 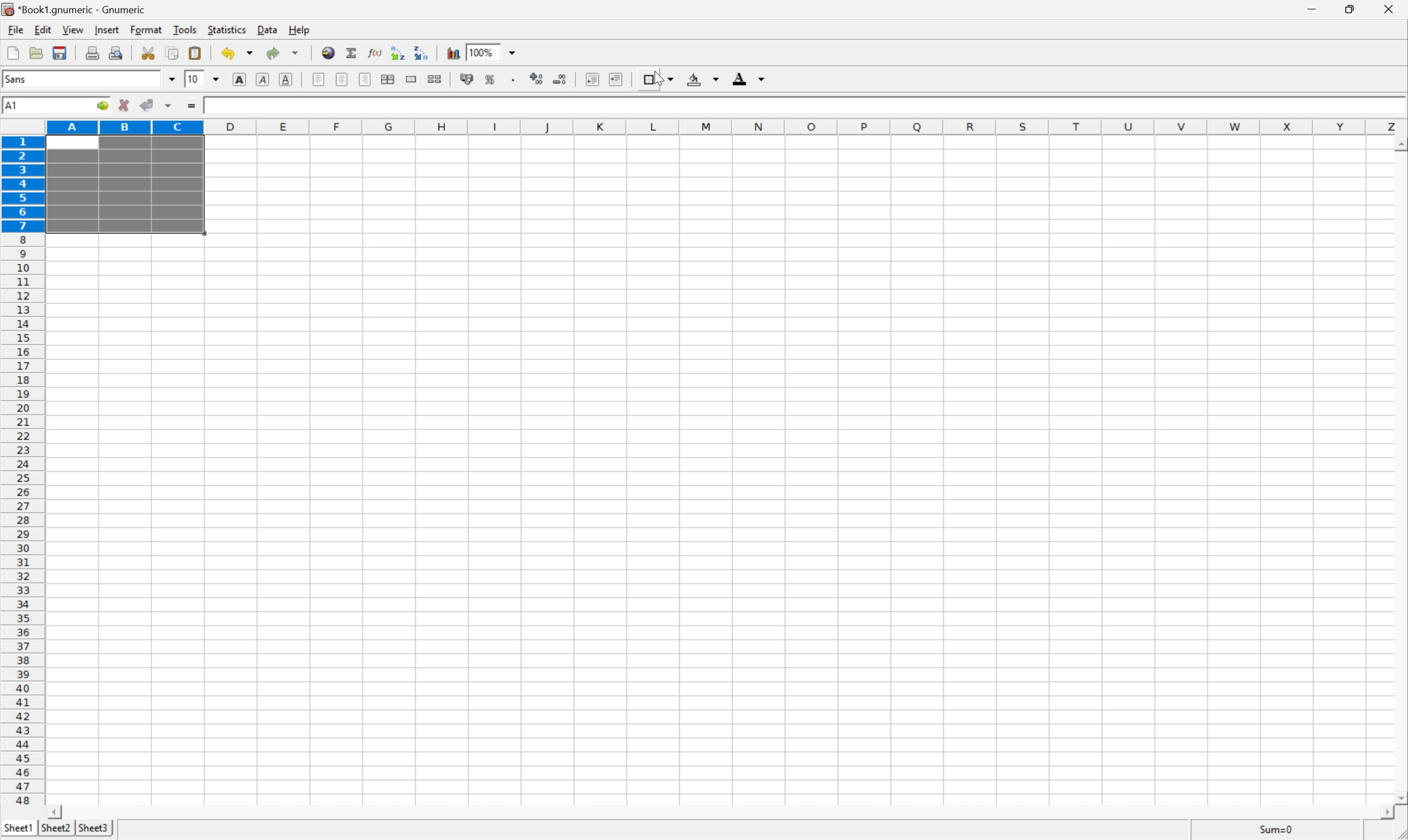 I want to click on print preview, so click(x=116, y=52).